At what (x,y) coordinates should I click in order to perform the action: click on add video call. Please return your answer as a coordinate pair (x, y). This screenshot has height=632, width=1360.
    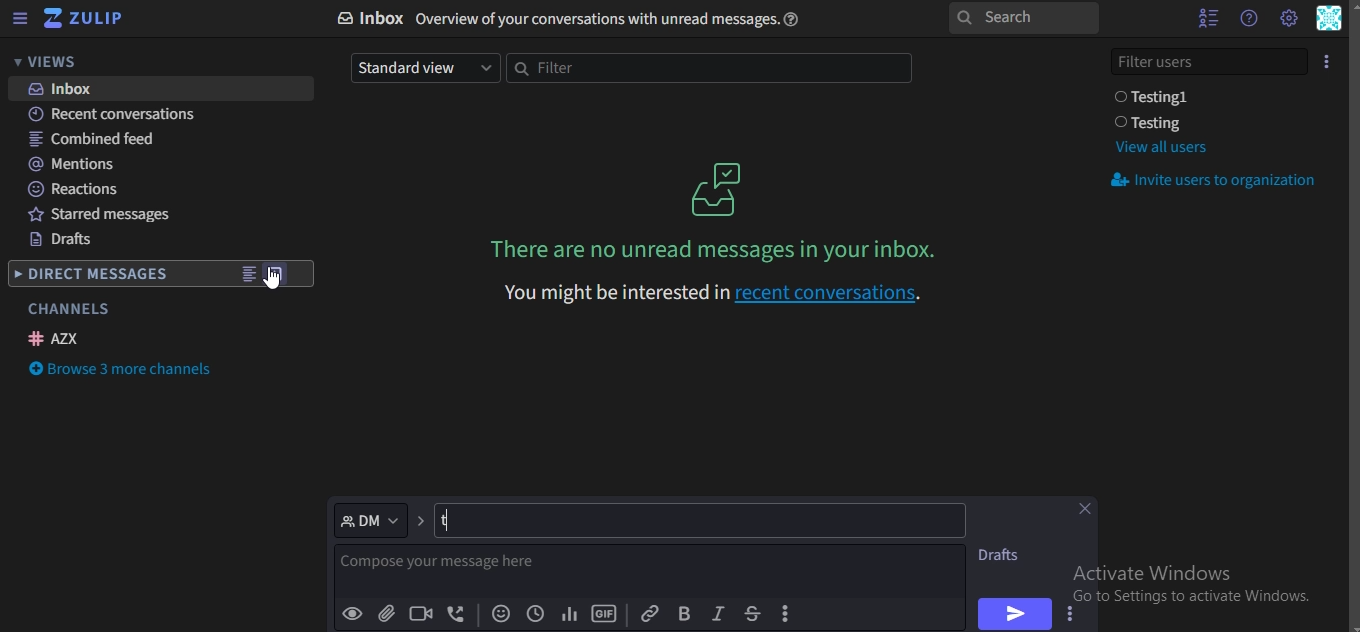
    Looking at the image, I should click on (422, 613).